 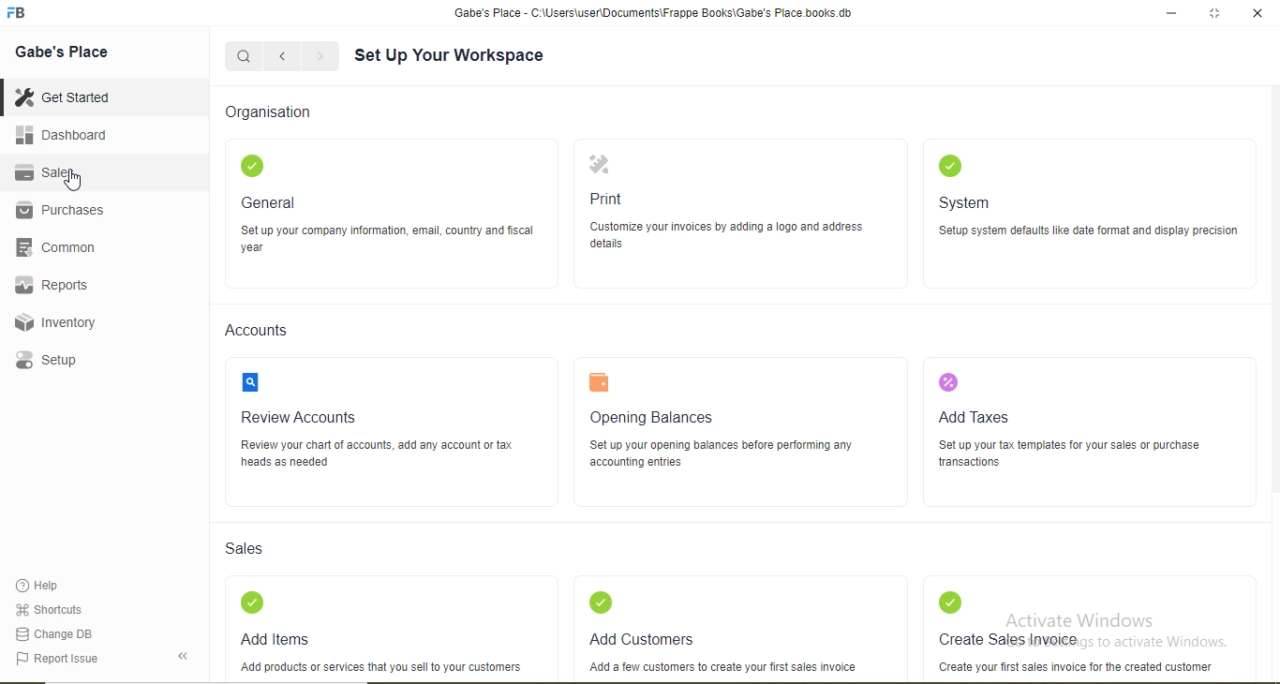 What do you see at coordinates (60, 287) in the screenshot?
I see `Reports.` at bounding box center [60, 287].